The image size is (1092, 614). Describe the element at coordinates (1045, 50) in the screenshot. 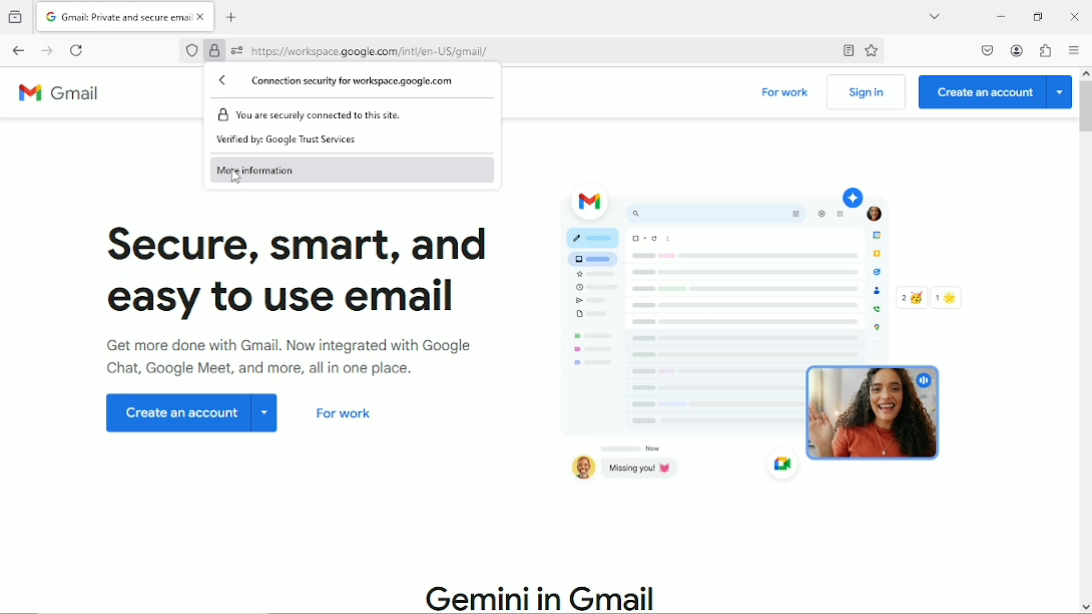

I see `Extensions` at that location.